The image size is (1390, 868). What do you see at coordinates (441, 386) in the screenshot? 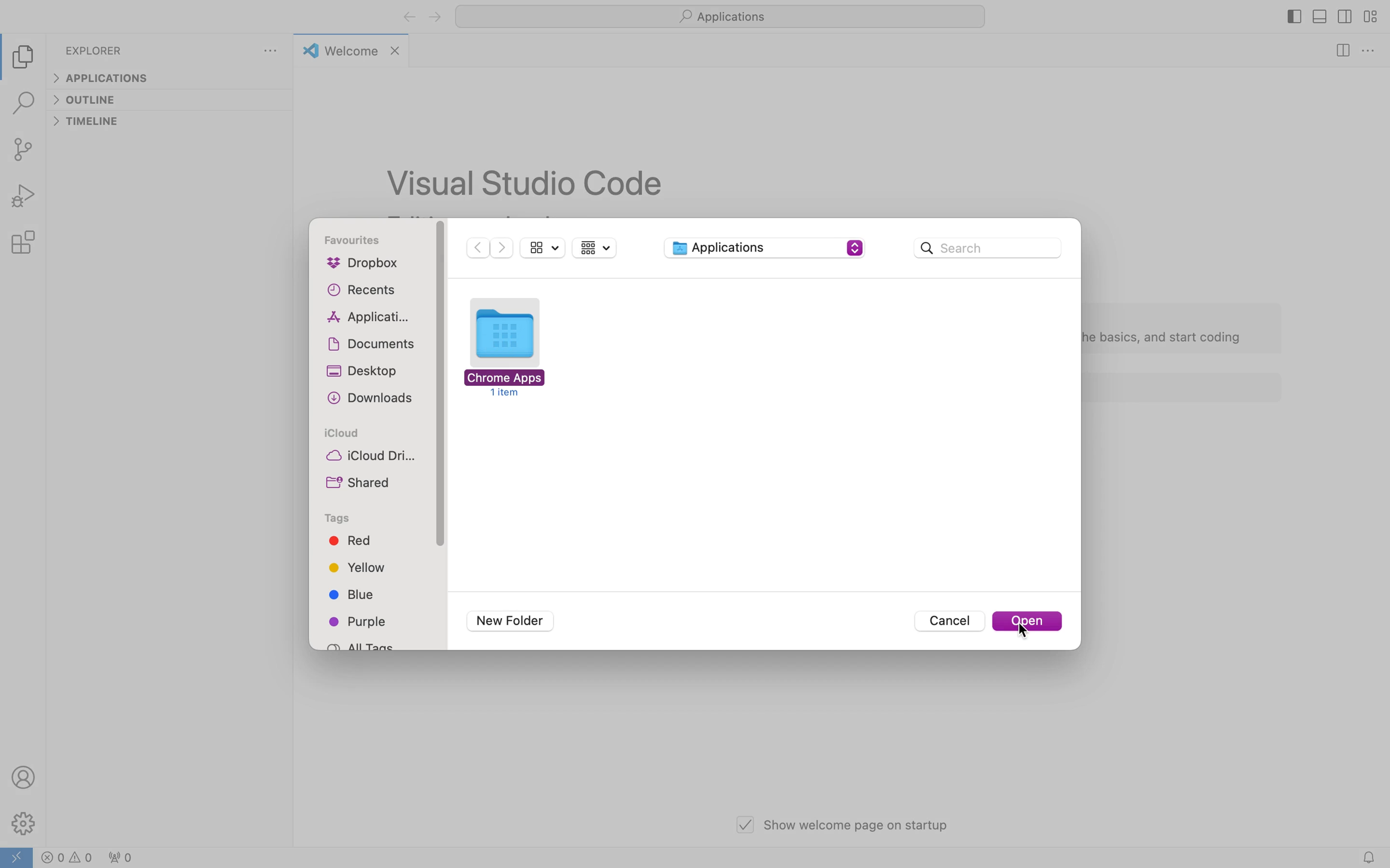
I see `vertical scroll bar` at bounding box center [441, 386].